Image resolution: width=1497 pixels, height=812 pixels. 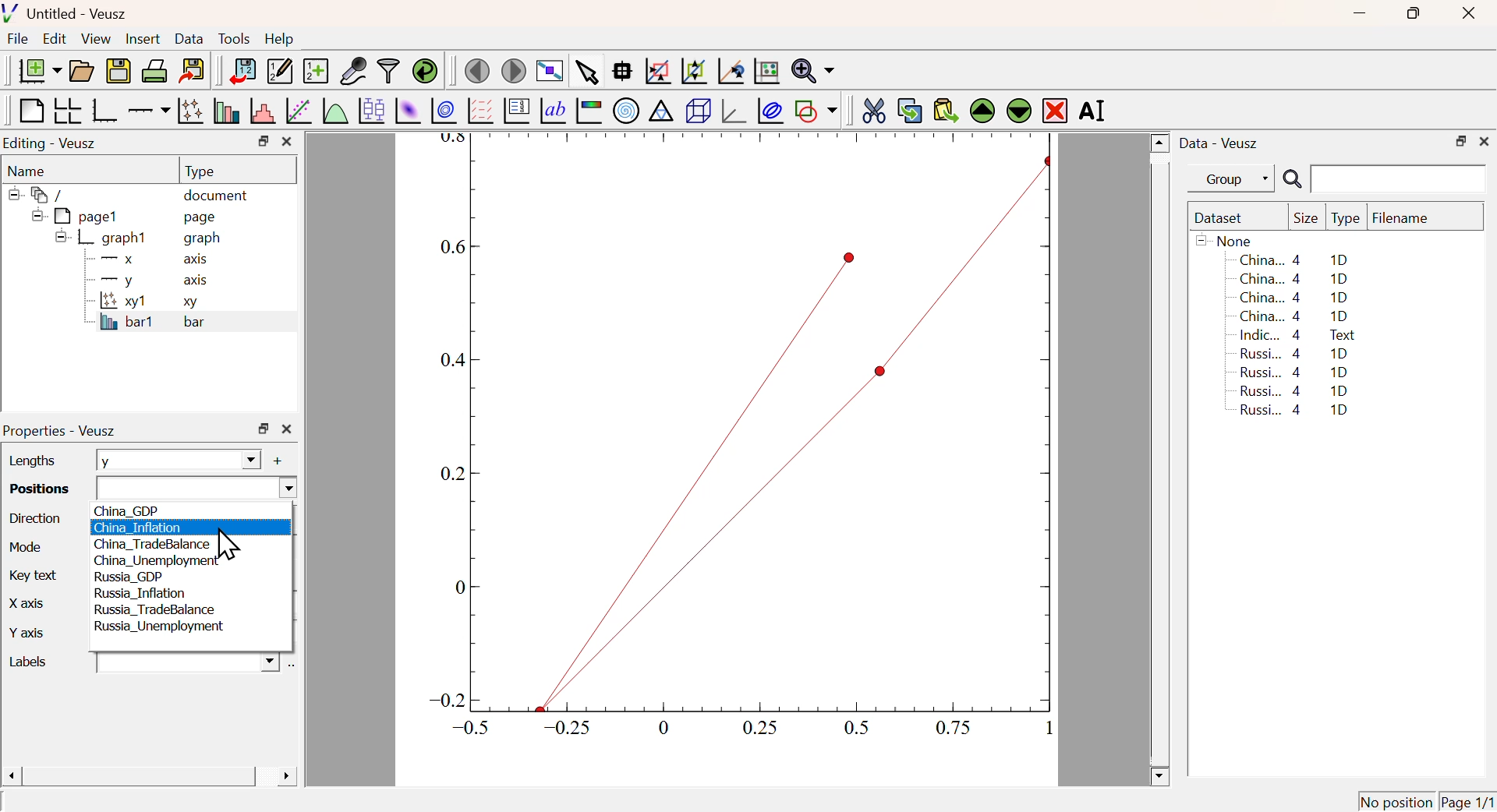 What do you see at coordinates (141, 40) in the screenshot?
I see `Insert` at bounding box center [141, 40].